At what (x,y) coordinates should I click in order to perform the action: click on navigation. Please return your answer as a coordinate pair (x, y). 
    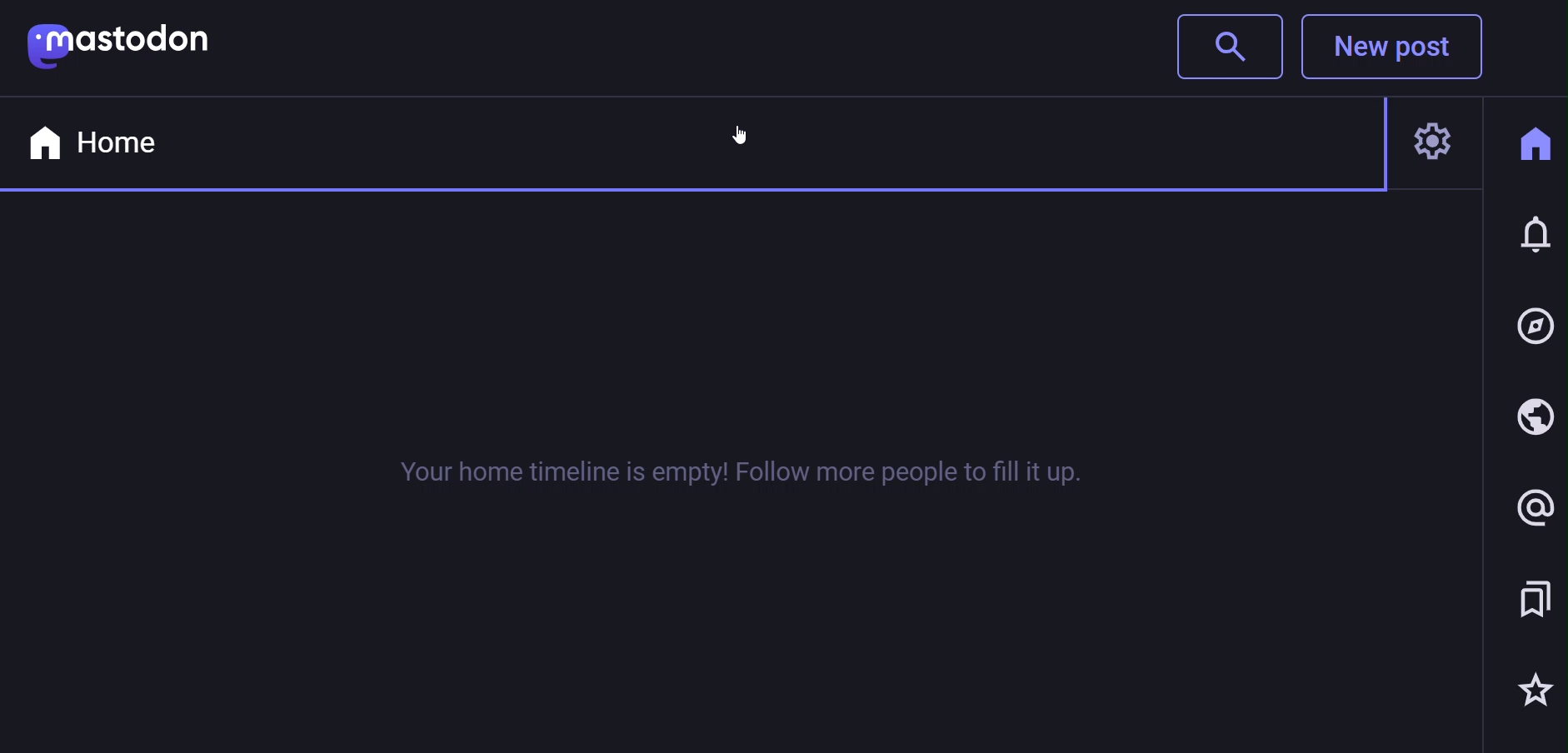
    Looking at the image, I should click on (1536, 327).